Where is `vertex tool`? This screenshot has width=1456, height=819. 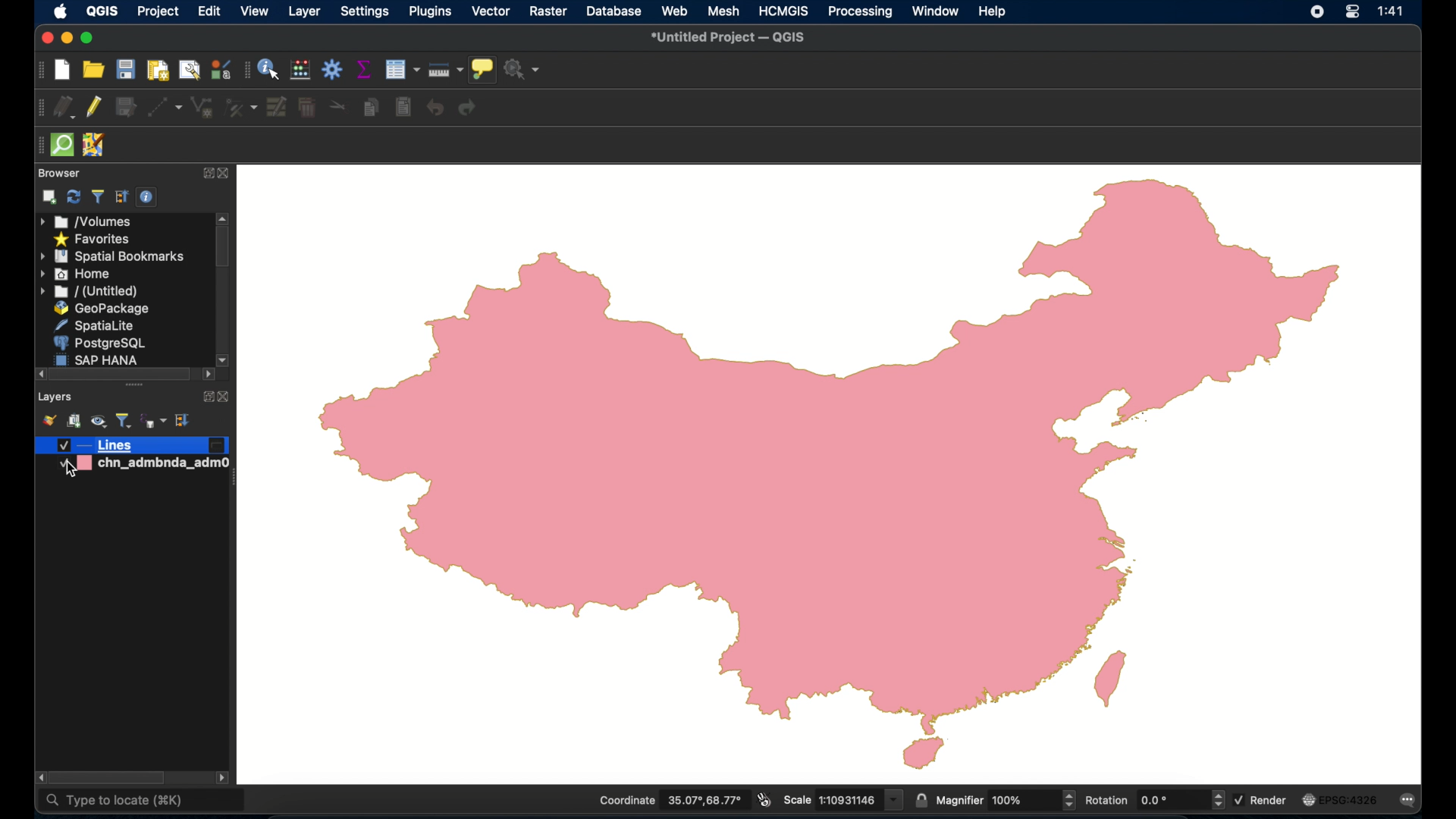 vertex tool is located at coordinates (241, 108).